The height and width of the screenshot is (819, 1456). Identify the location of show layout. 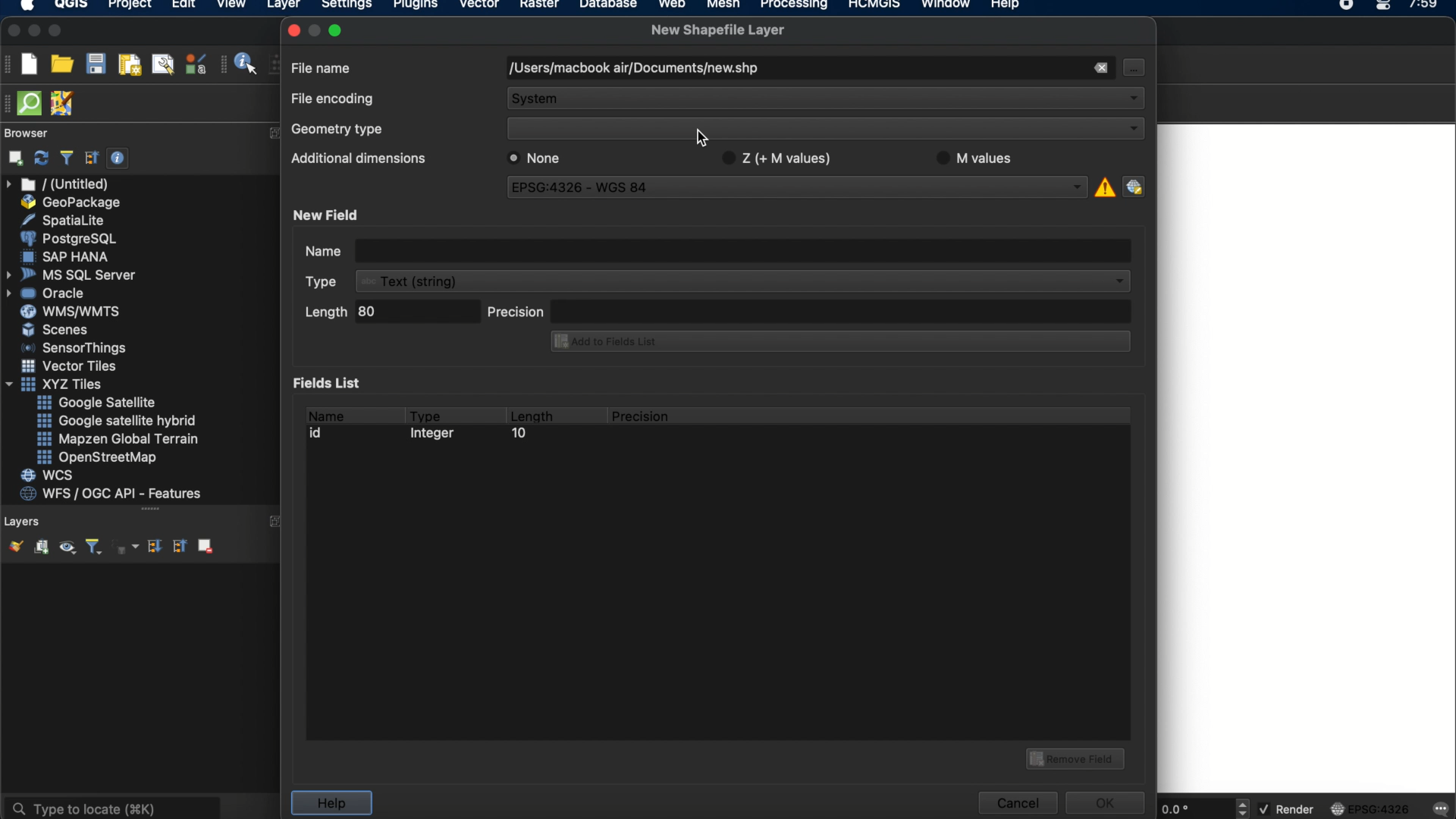
(163, 64).